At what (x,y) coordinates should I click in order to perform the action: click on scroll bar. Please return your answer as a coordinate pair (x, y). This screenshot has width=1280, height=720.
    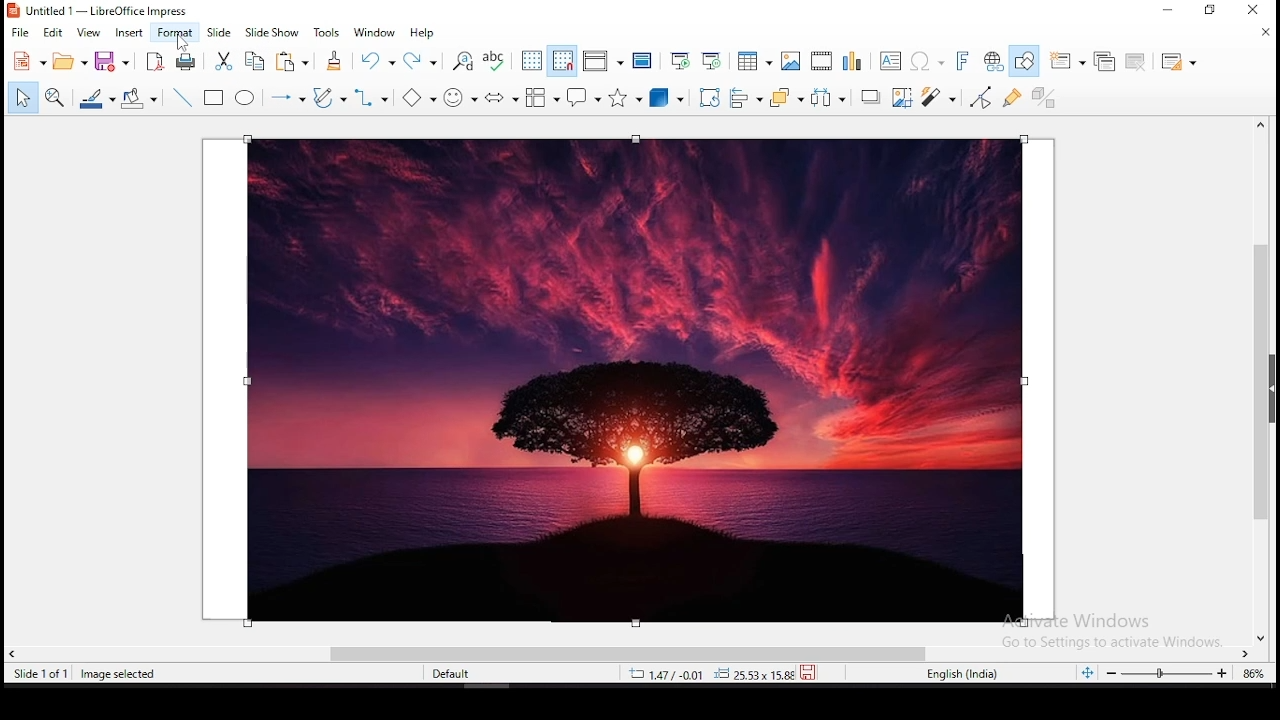
    Looking at the image, I should click on (631, 652).